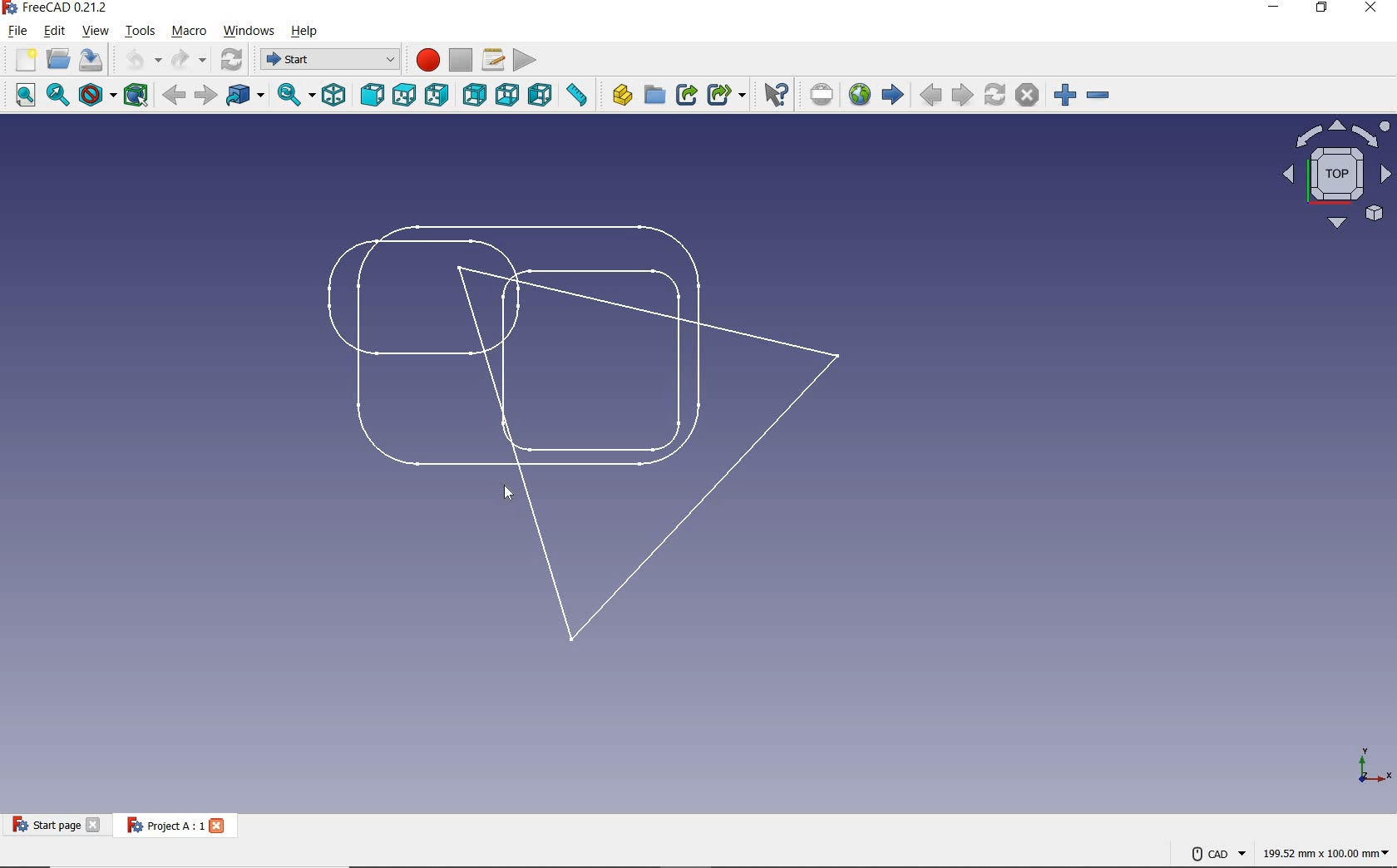 This screenshot has height=868, width=1397. What do you see at coordinates (1370, 9) in the screenshot?
I see `CLOSE` at bounding box center [1370, 9].